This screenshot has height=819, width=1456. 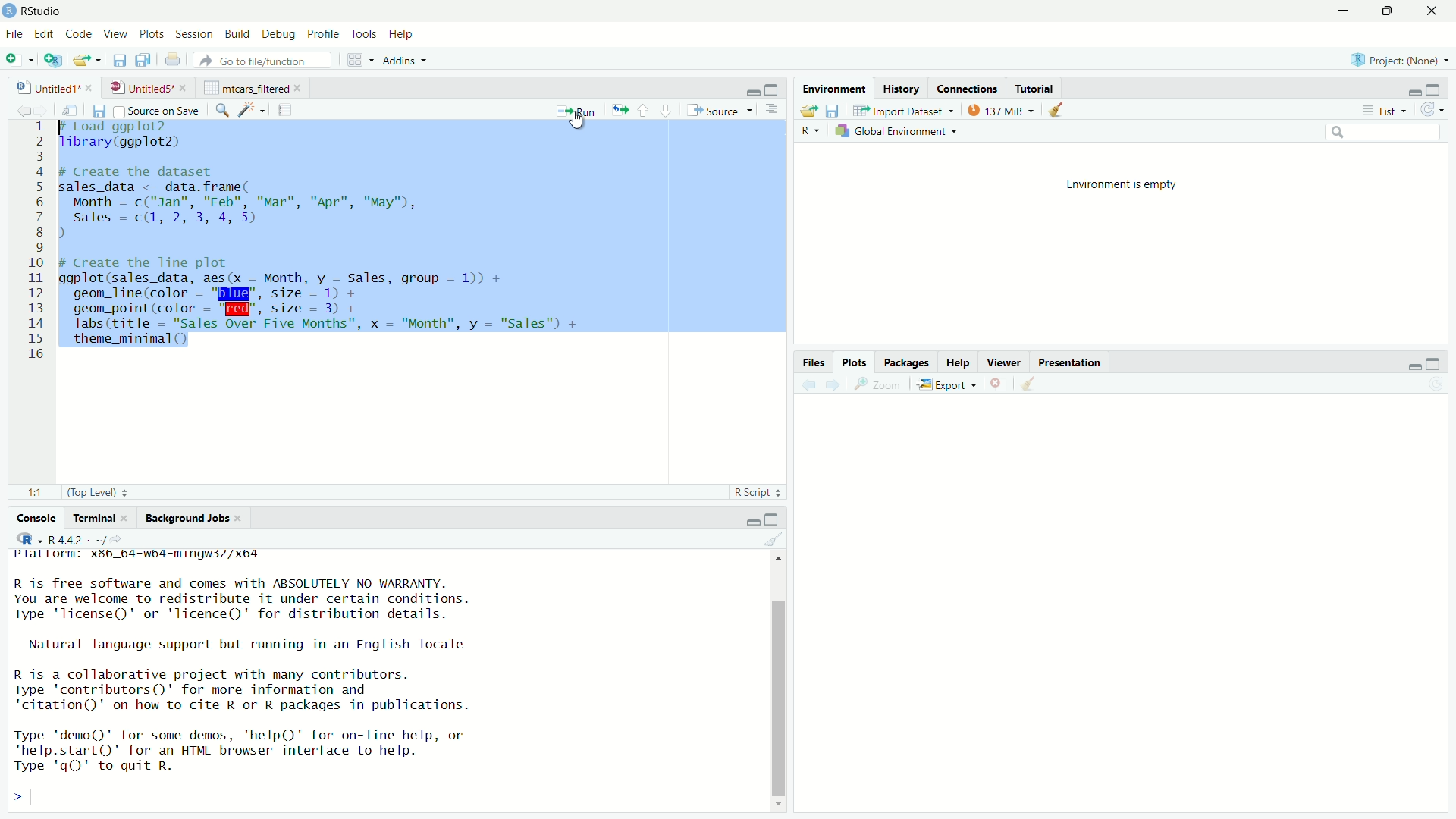 What do you see at coordinates (620, 110) in the screenshot?
I see `re-run the previous section` at bounding box center [620, 110].